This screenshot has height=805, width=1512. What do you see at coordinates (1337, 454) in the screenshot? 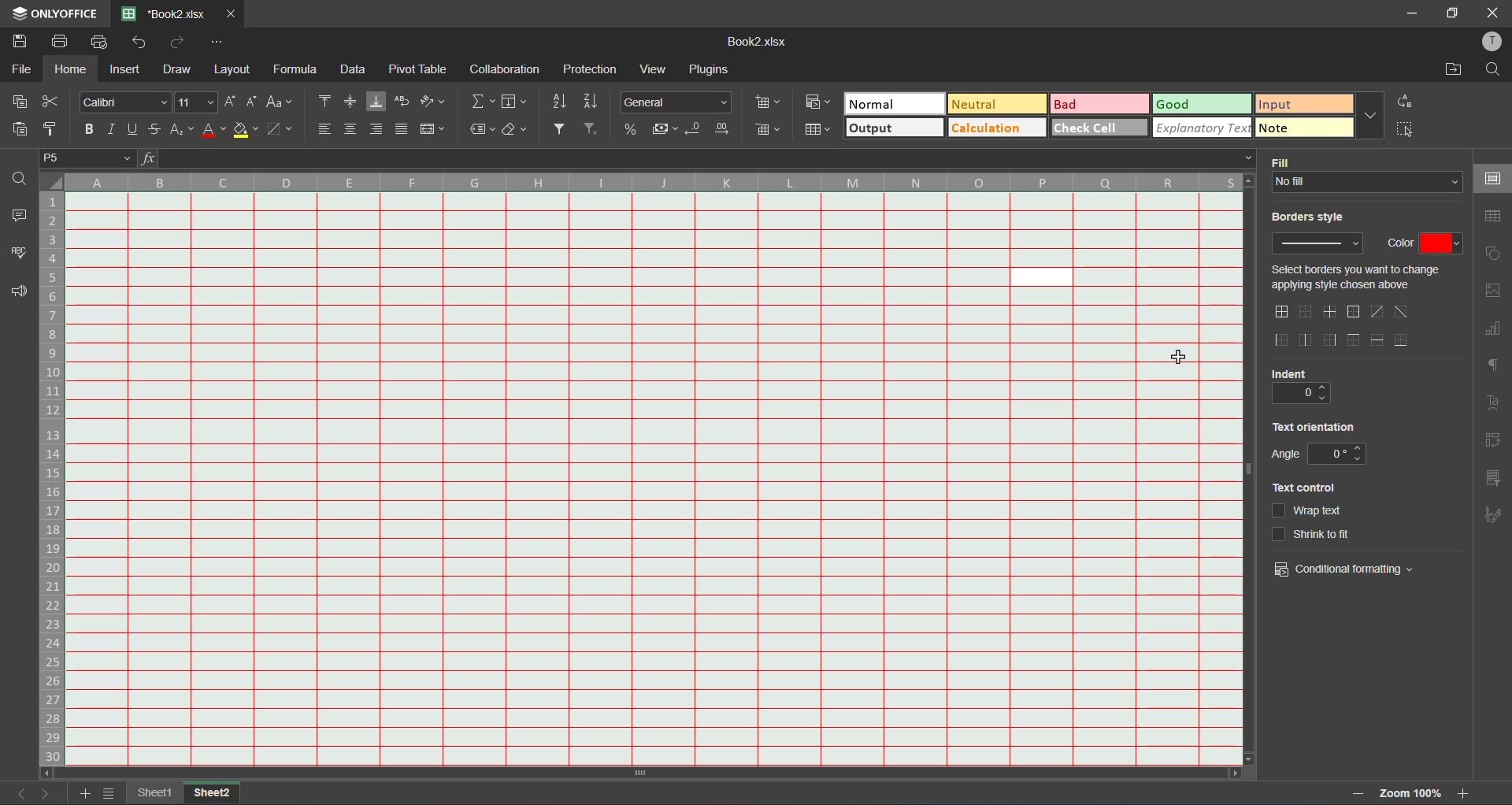
I see `0` at bounding box center [1337, 454].